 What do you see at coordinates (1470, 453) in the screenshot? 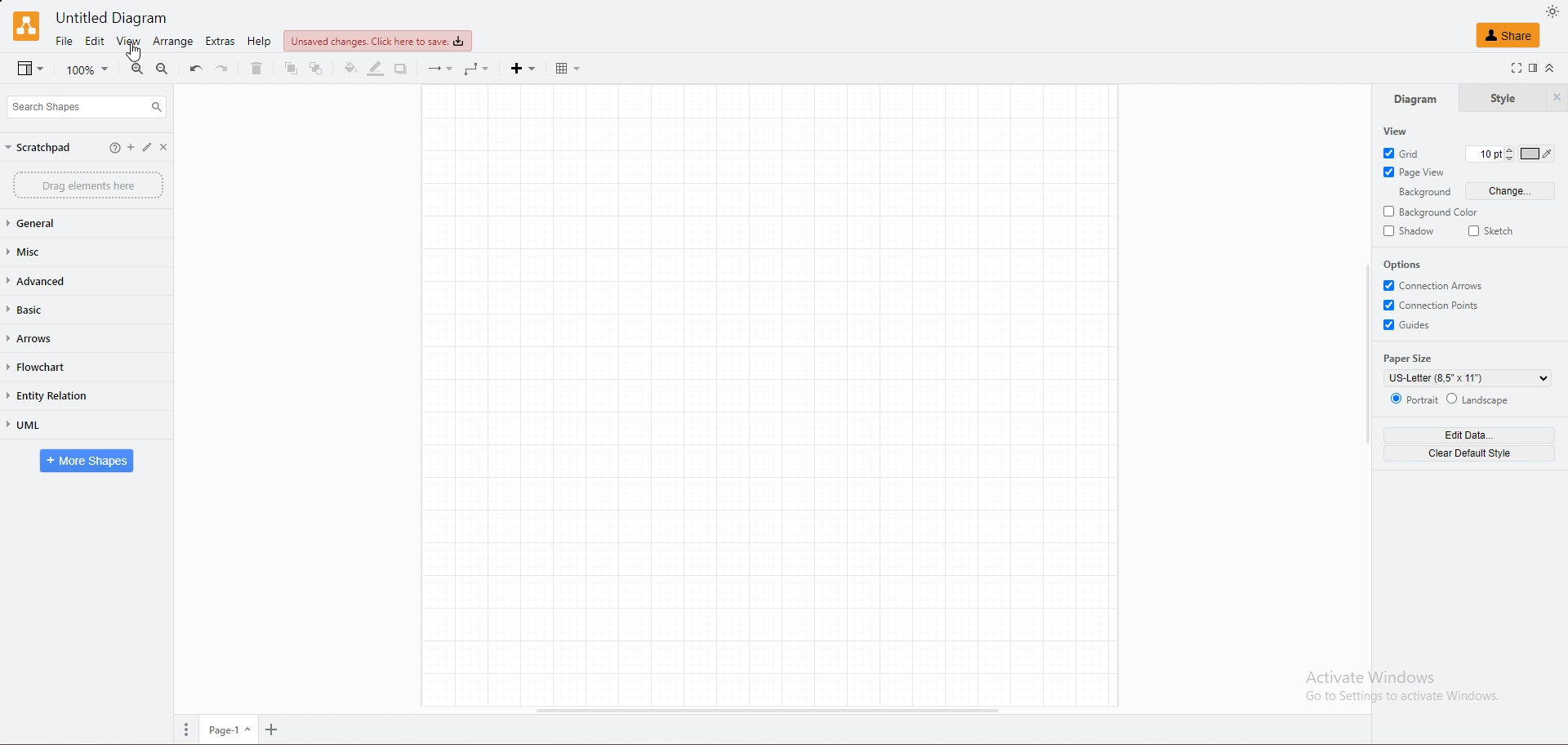
I see `clear default style` at bounding box center [1470, 453].